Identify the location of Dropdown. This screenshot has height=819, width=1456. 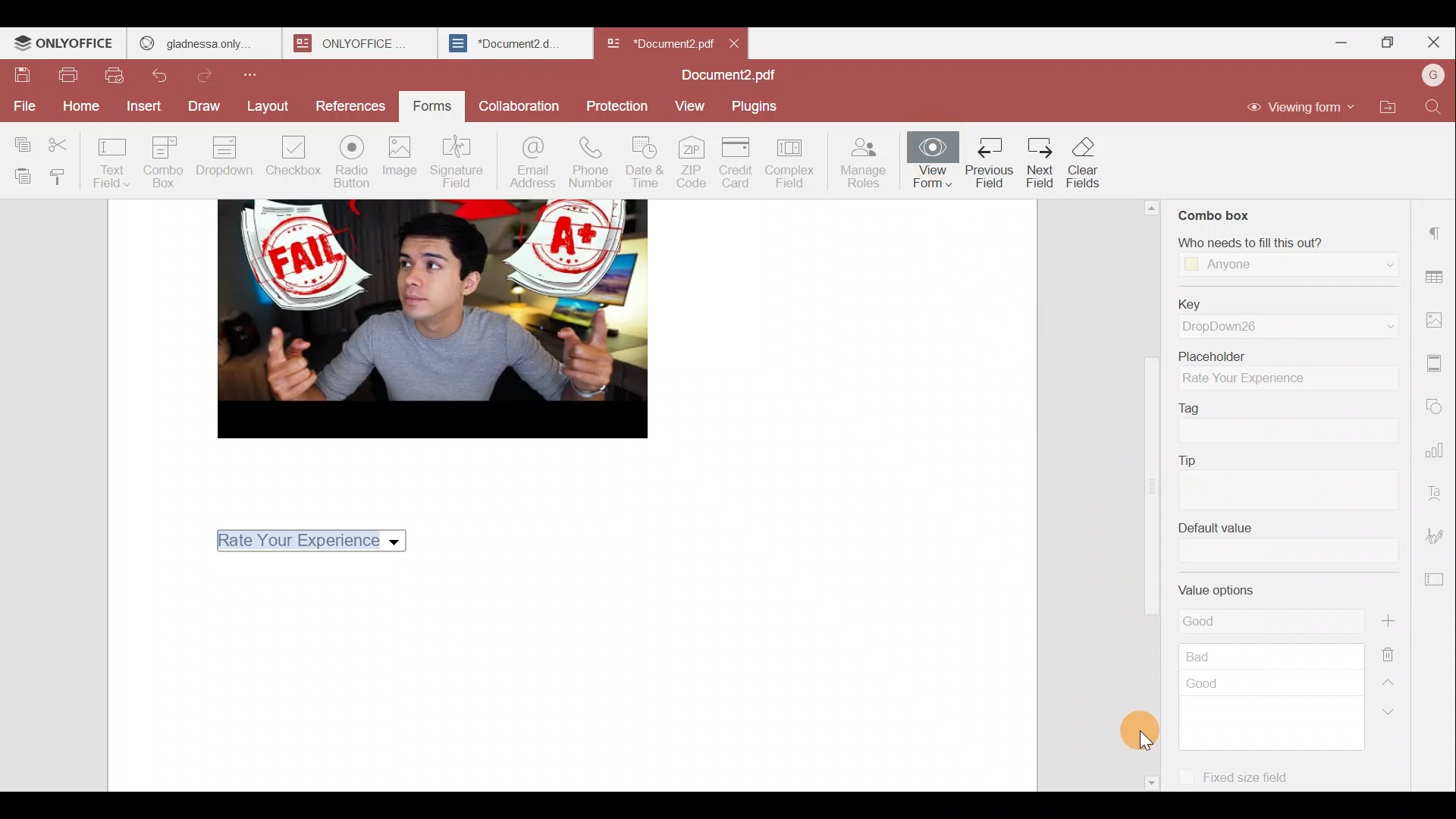
(227, 156).